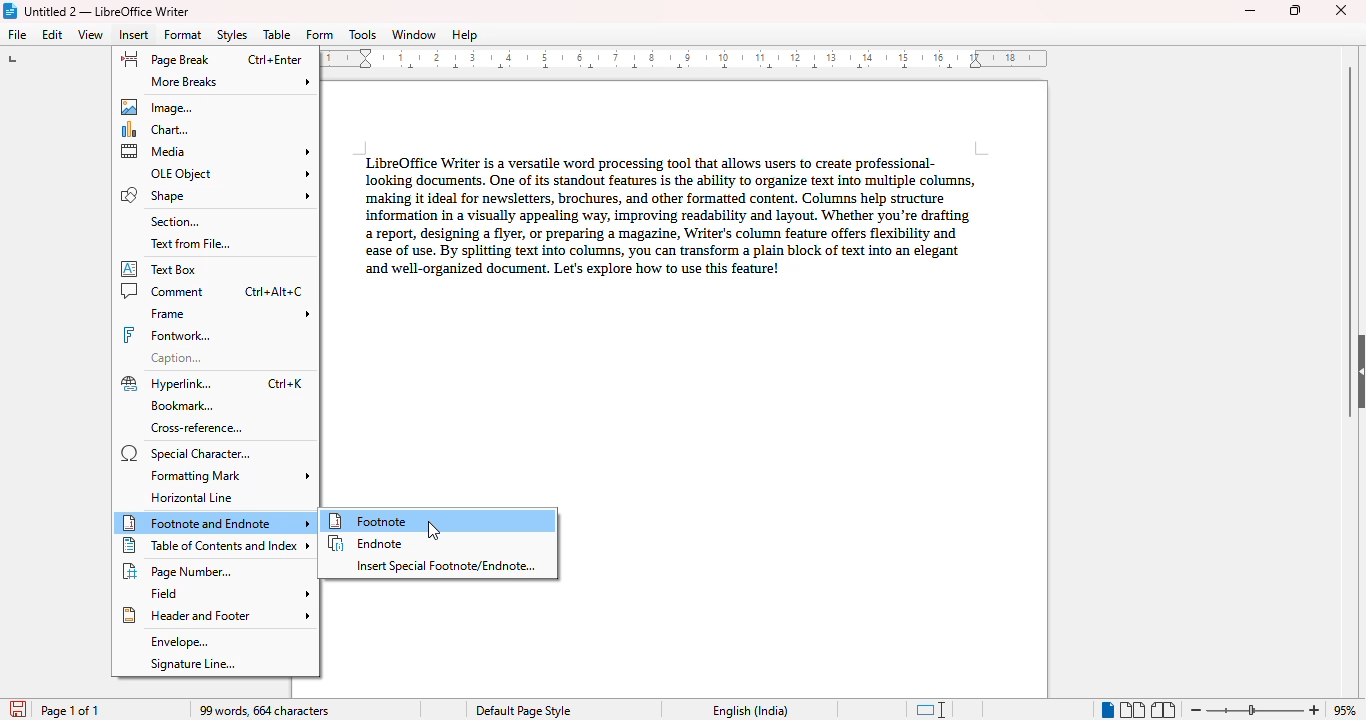  I want to click on multi-page view, so click(1133, 710).